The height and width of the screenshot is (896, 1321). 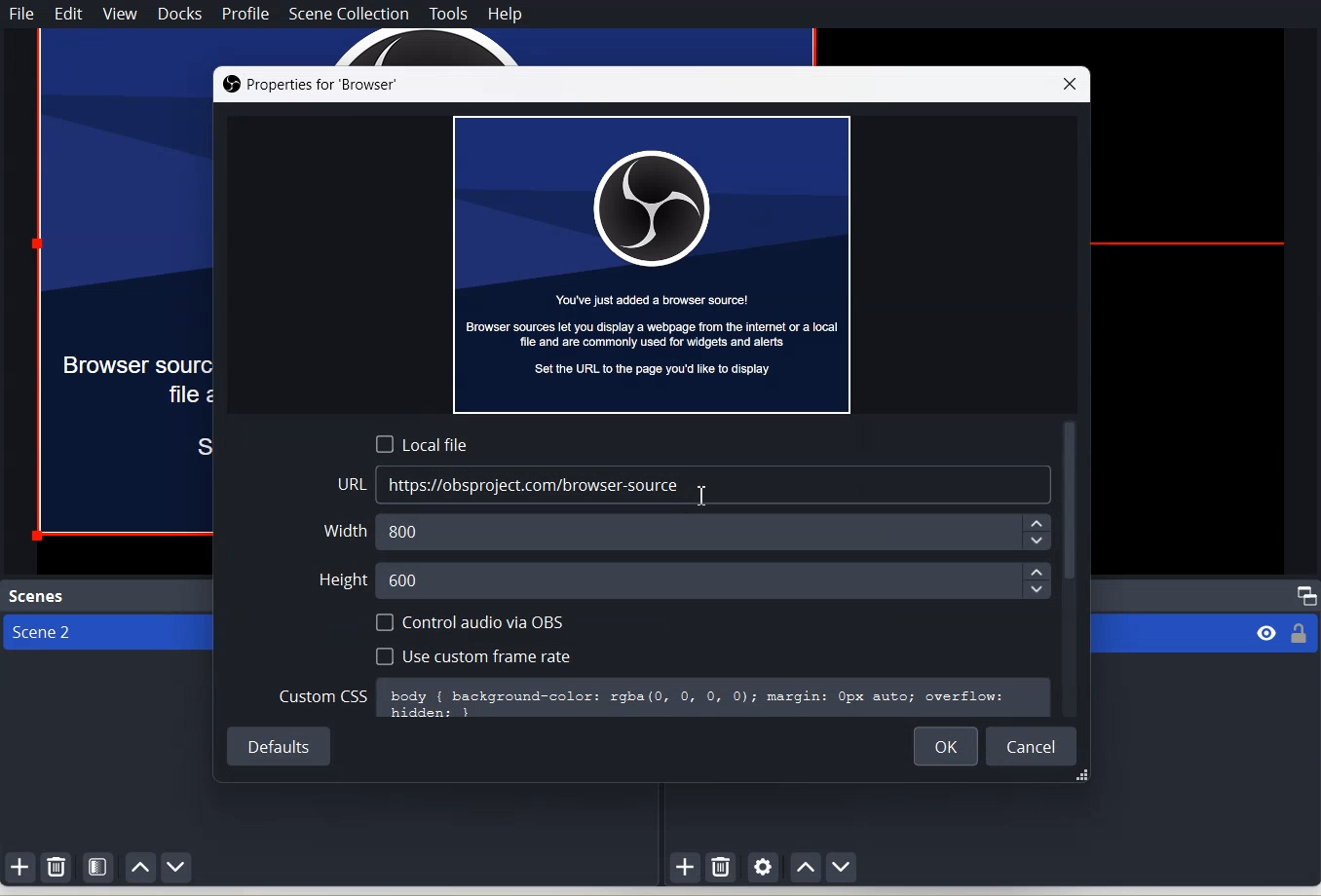 What do you see at coordinates (1074, 83) in the screenshot?
I see `Close` at bounding box center [1074, 83].